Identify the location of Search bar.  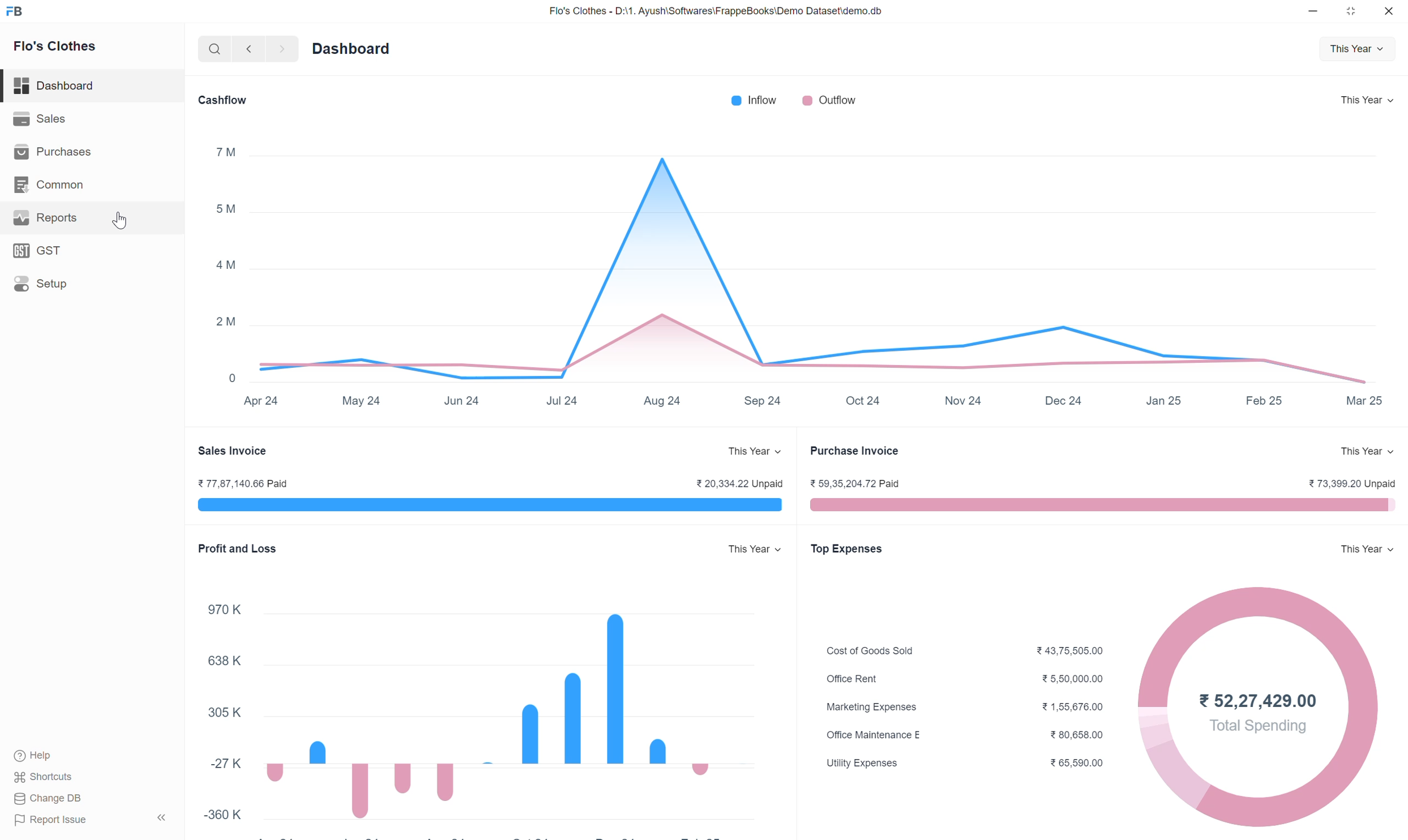
(207, 52).